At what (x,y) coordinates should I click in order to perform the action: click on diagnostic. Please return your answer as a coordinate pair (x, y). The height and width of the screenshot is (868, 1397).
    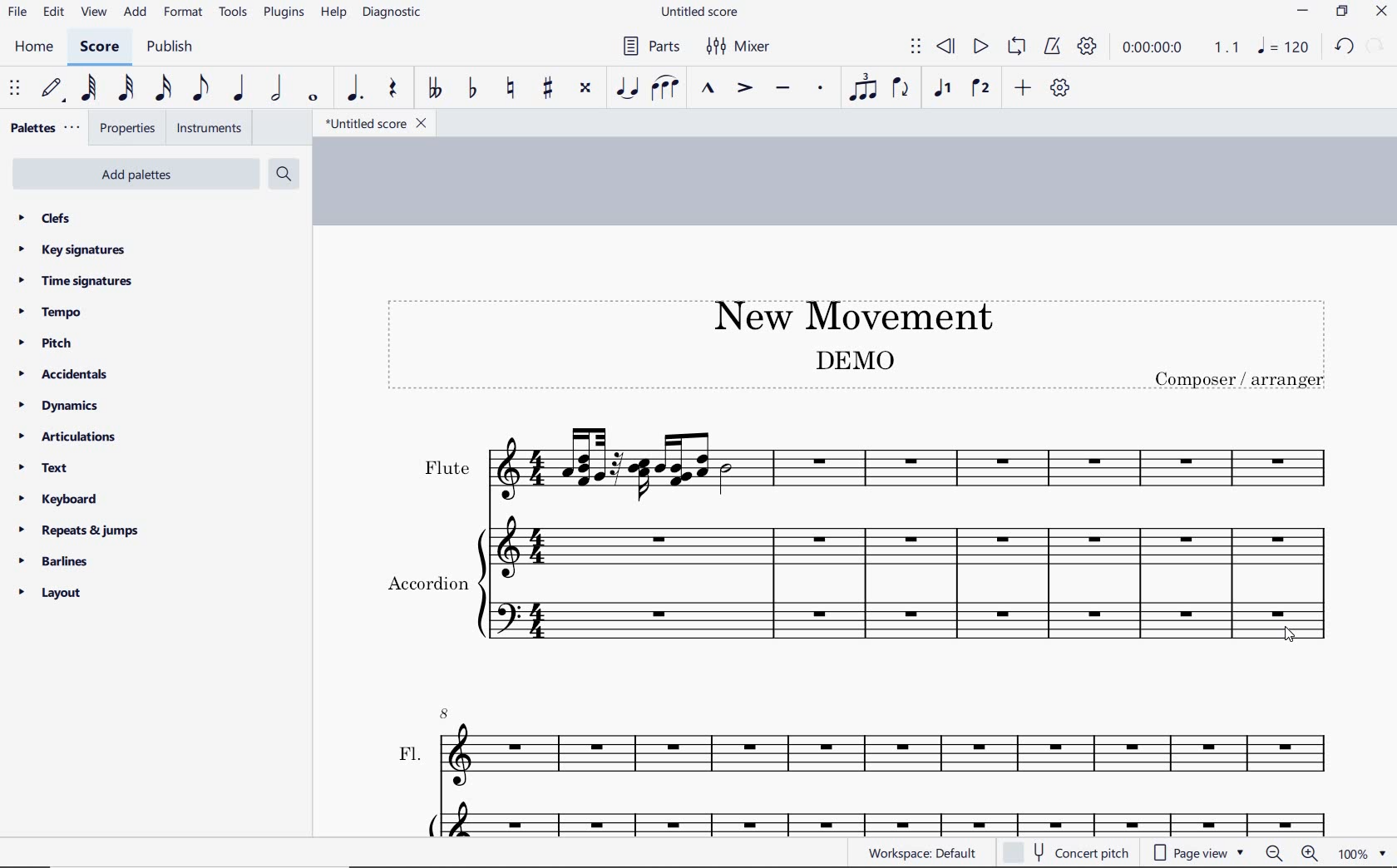
    Looking at the image, I should click on (394, 14).